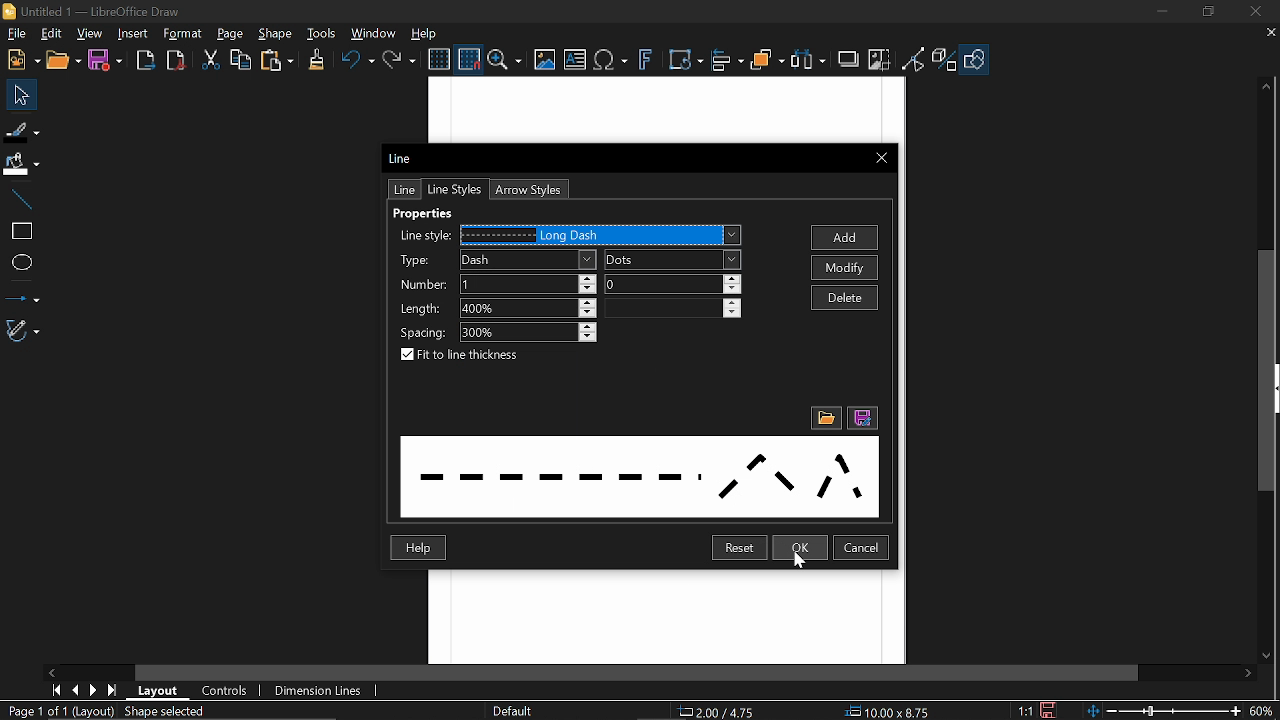 This screenshot has width=1280, height=720. I want to click on Line, so click(402, 190).